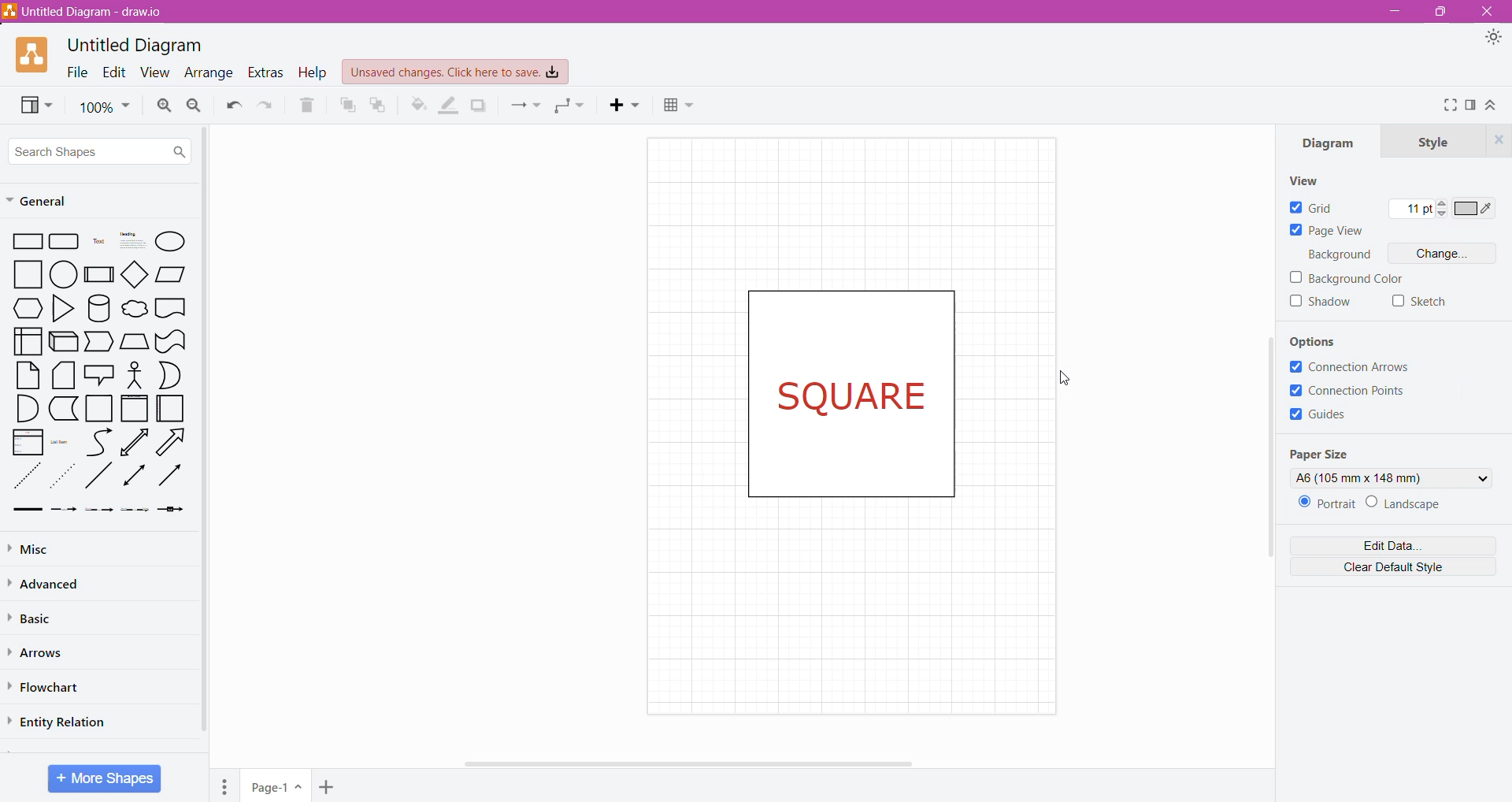 The height and width of the screenshot is (802, 1512). Describe the element at coordinates (48, 688) in the screenshot. I see `Flowchart` at that location.